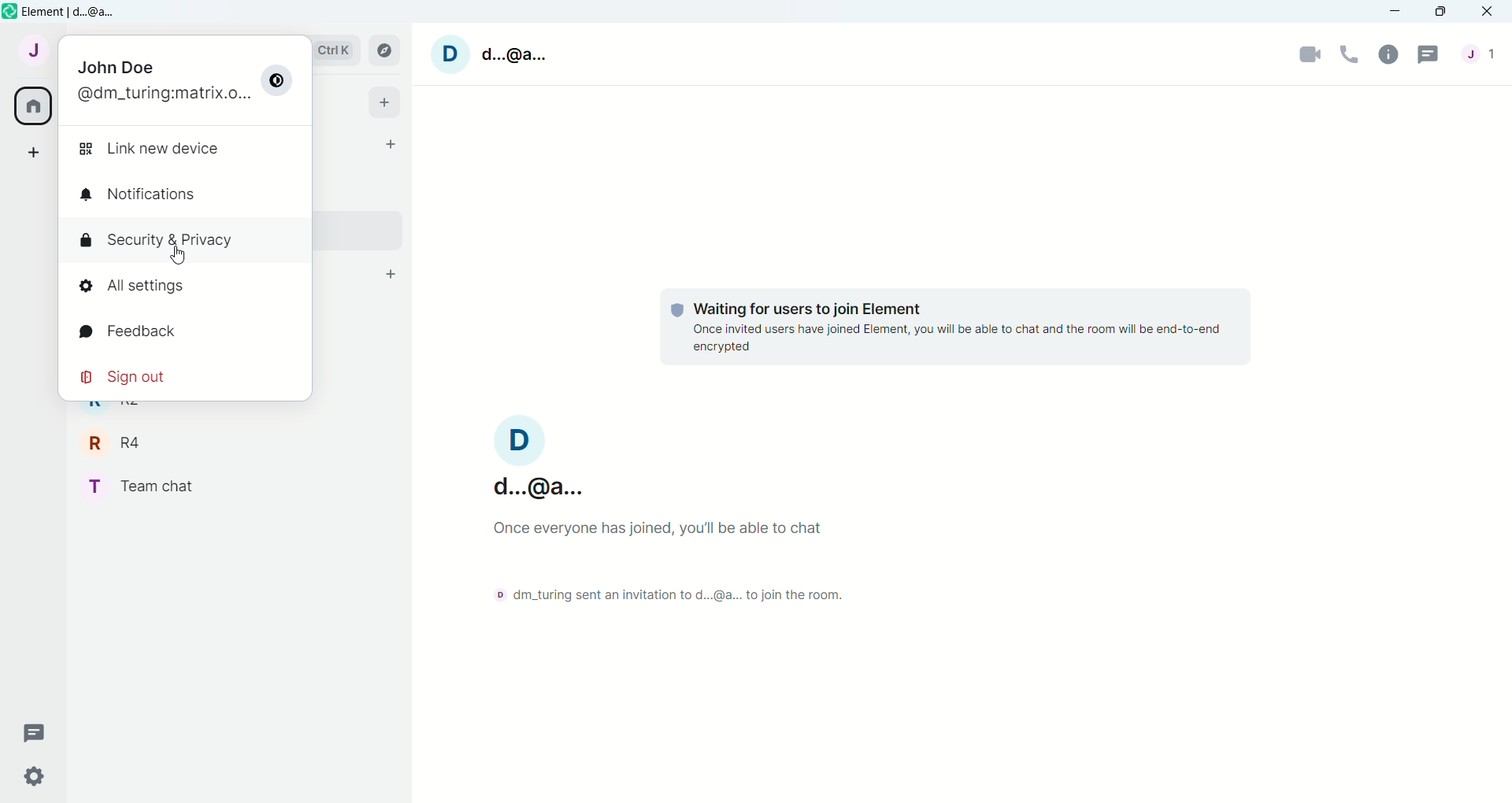 Image resolution: width=1512 pixels, height=803 pixels. I want to click on d..@a..., so click(516, 54).